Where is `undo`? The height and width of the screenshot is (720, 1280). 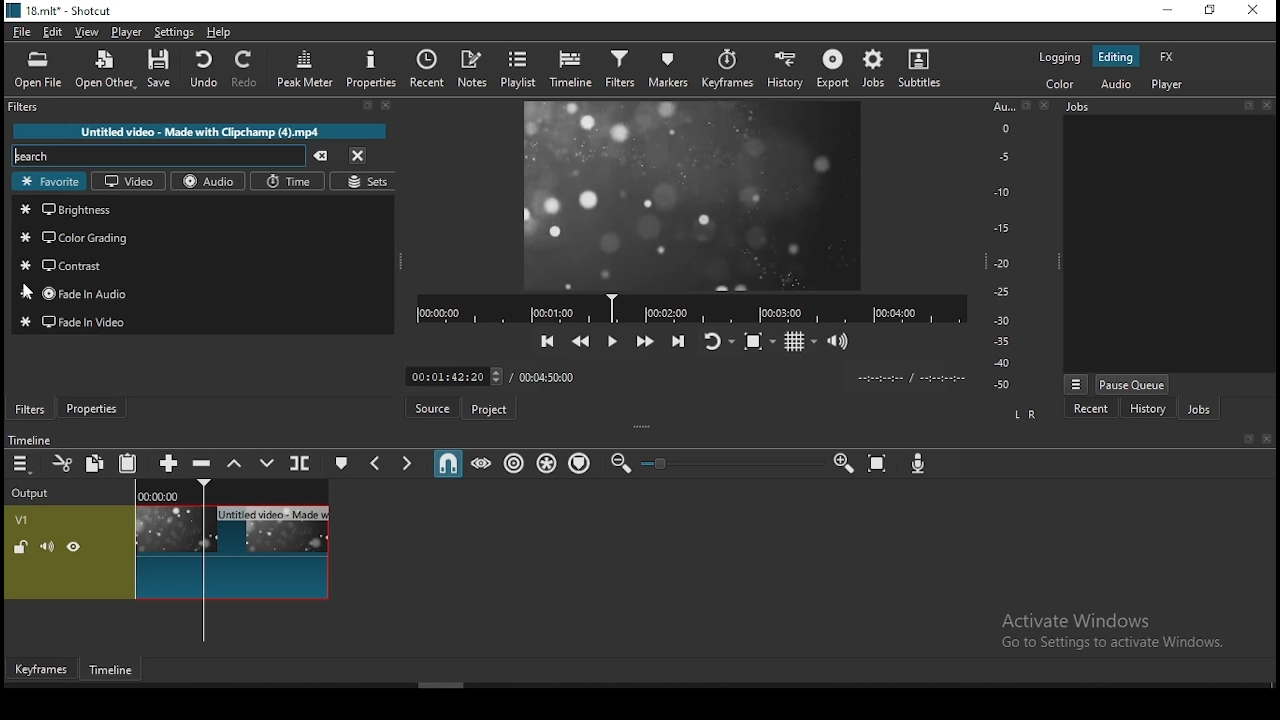 undo is located at coordinates (203, 69).